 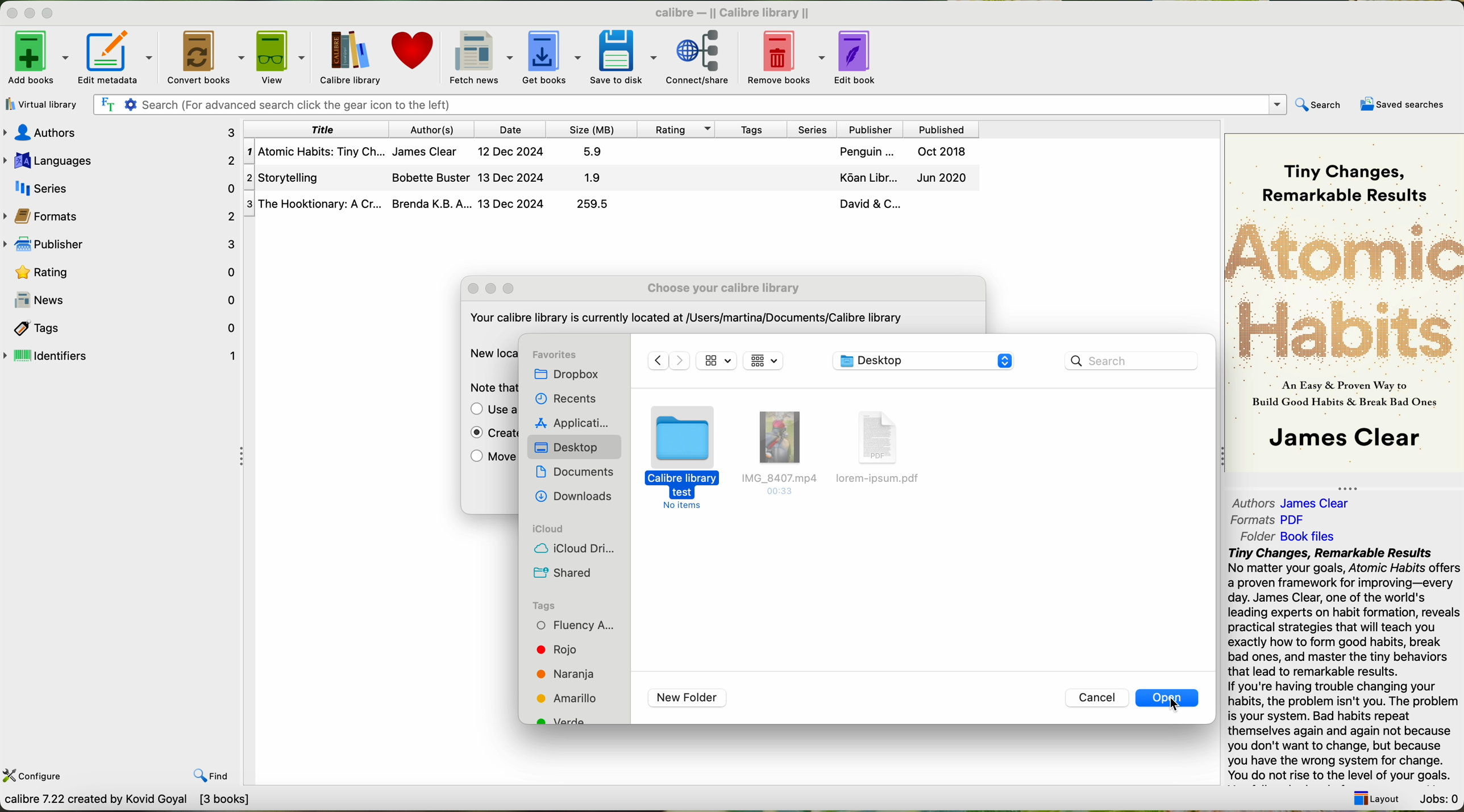 I want to click on languages, so click(x=120, y=159).